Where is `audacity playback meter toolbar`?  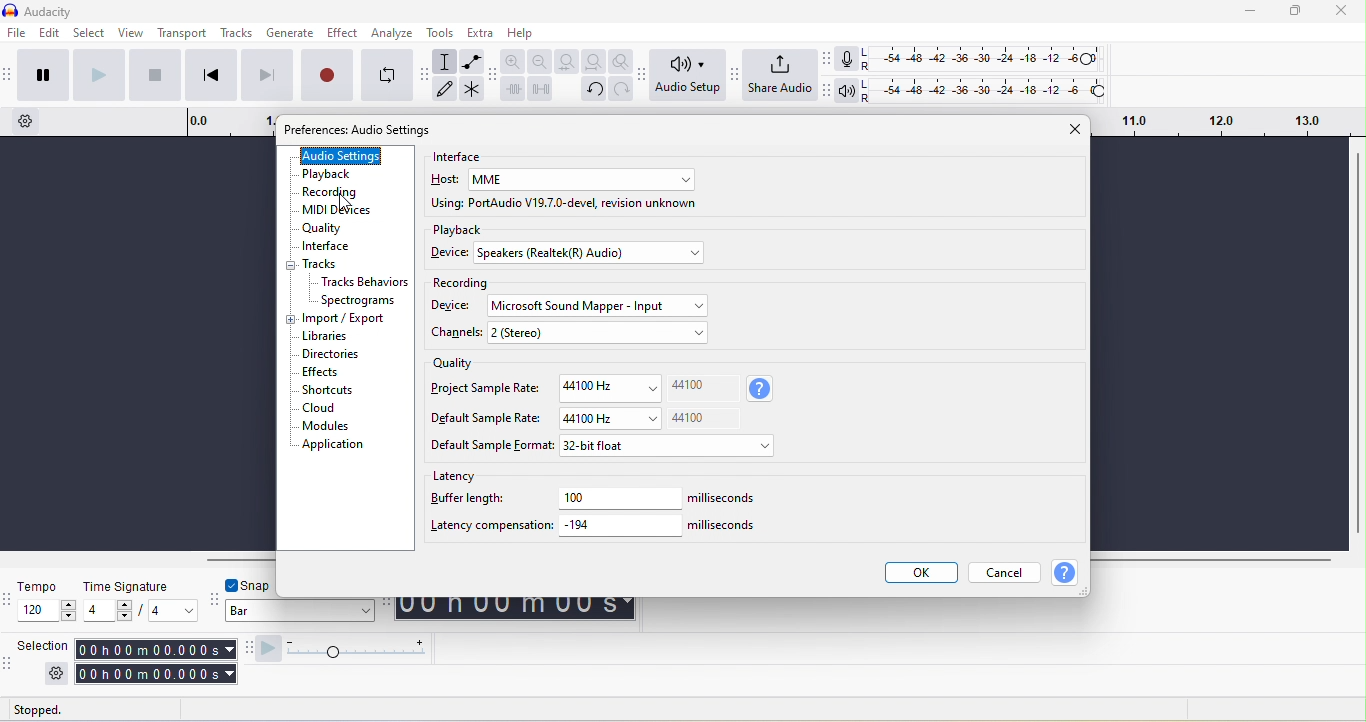
audacity playback meter toolbar is located at coordinates (823, 92).